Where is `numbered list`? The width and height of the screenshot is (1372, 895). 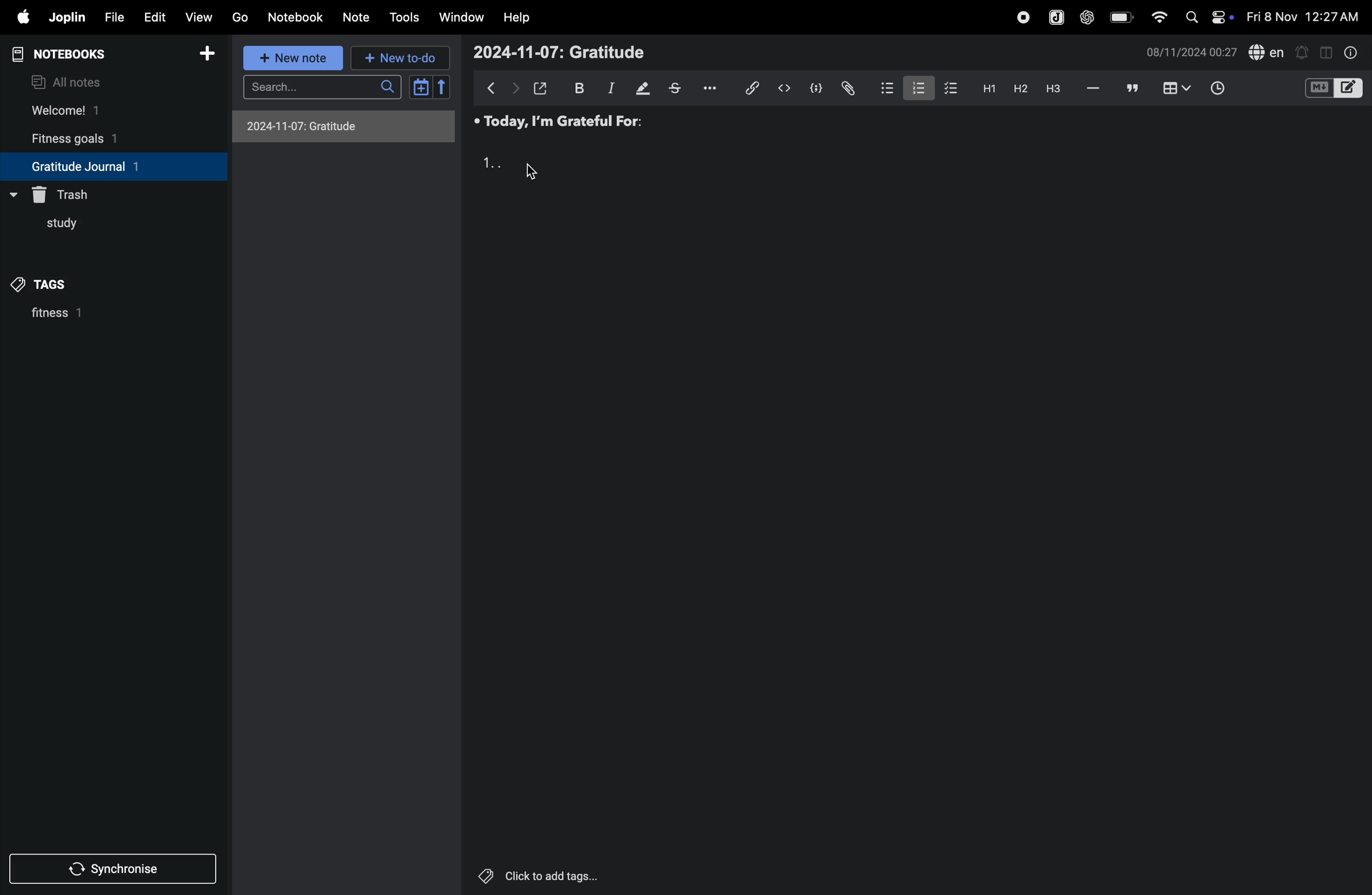 numbered list is located at coordinates (914, 88).